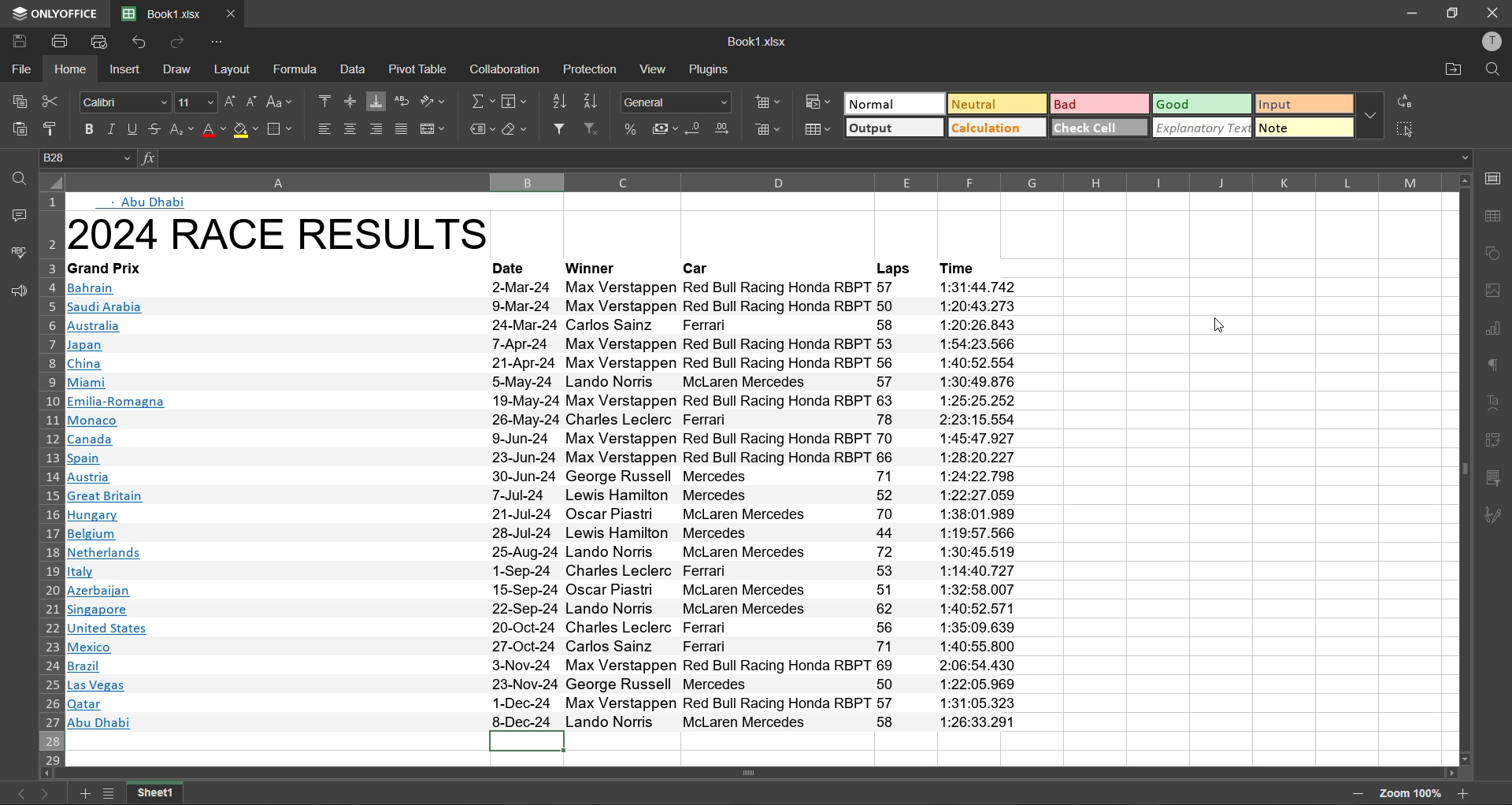 Image resolution: width=1512 pixels, height=805 pixels. What do you see at coordinates (109, 267) in the screenshot?
I see `Grand Prix` at bounding box center [109, 267].